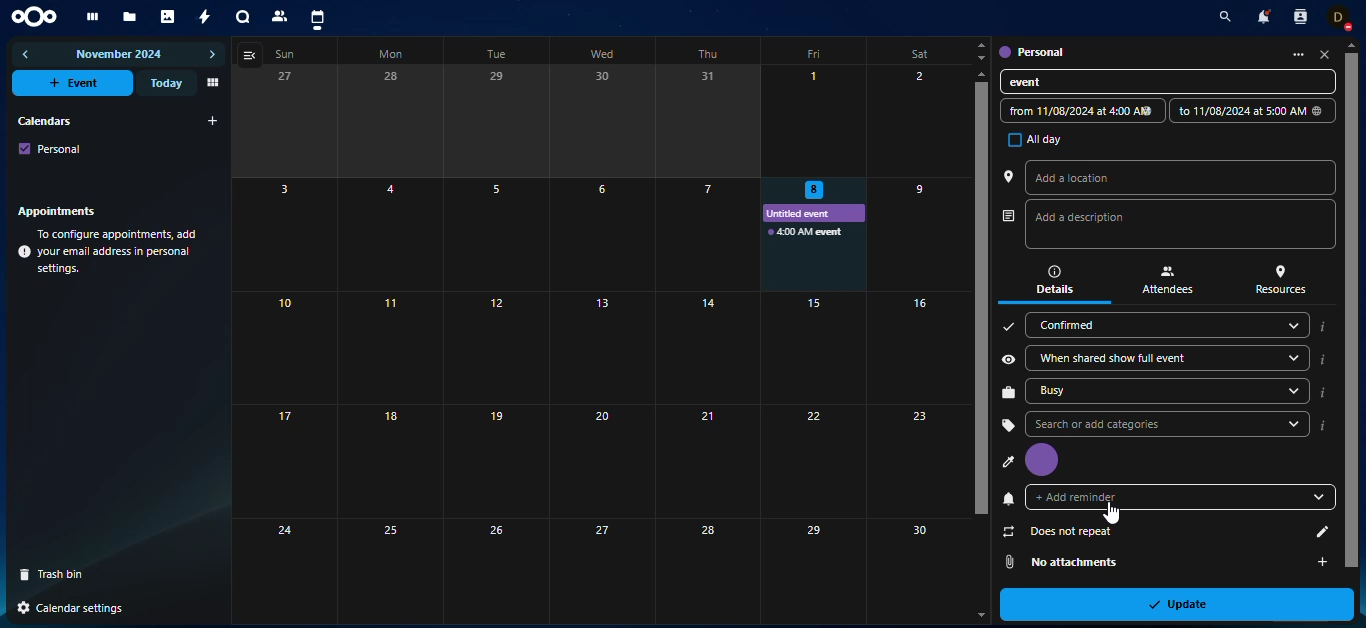 The image size is (1366, 628). I want to click on thu, so click(706, 54).